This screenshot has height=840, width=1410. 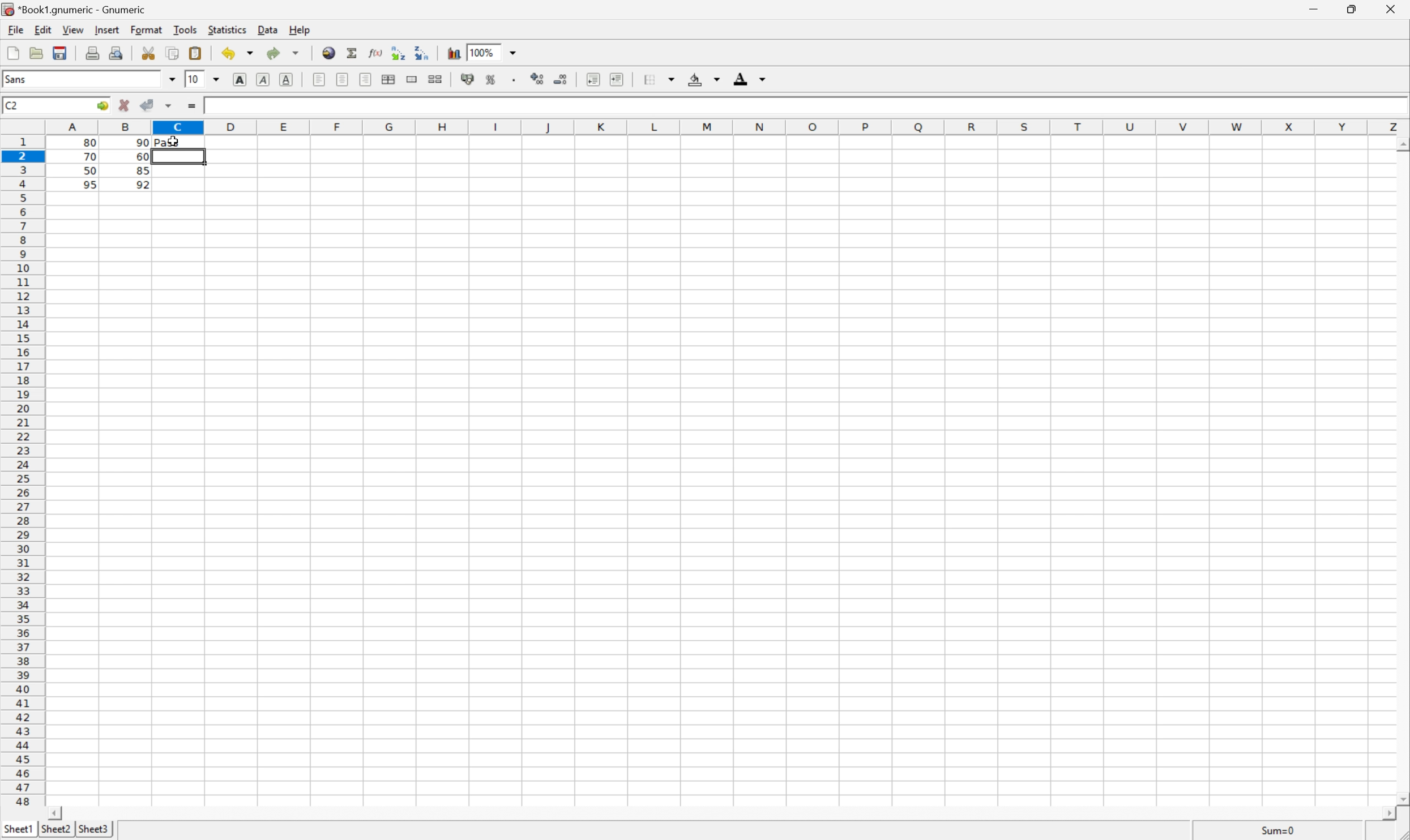 I want to click on Drop Down, so click(x=173, y=80).